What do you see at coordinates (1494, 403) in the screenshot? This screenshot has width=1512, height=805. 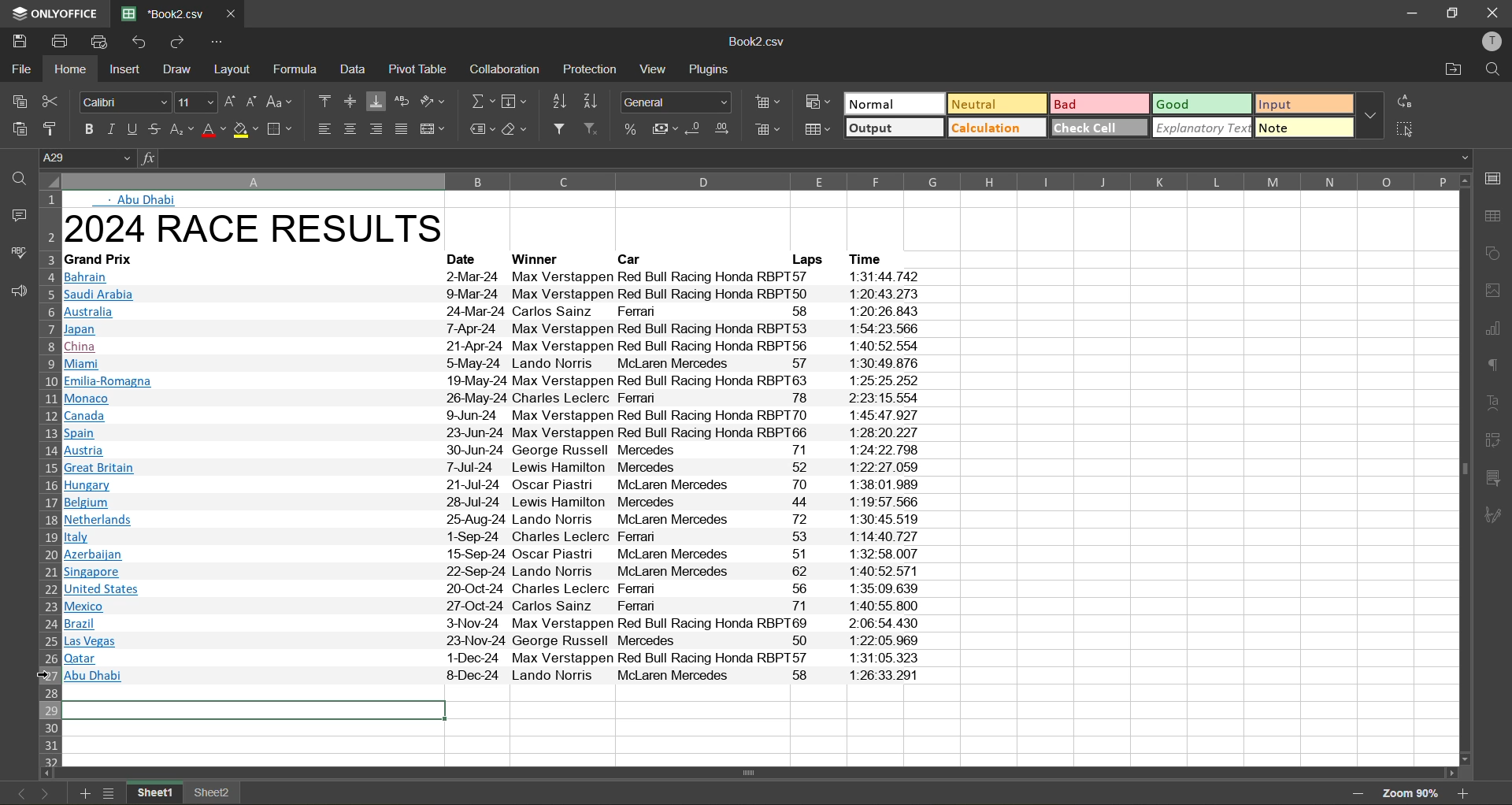 I see `text` at bounding box center [1494, 403].